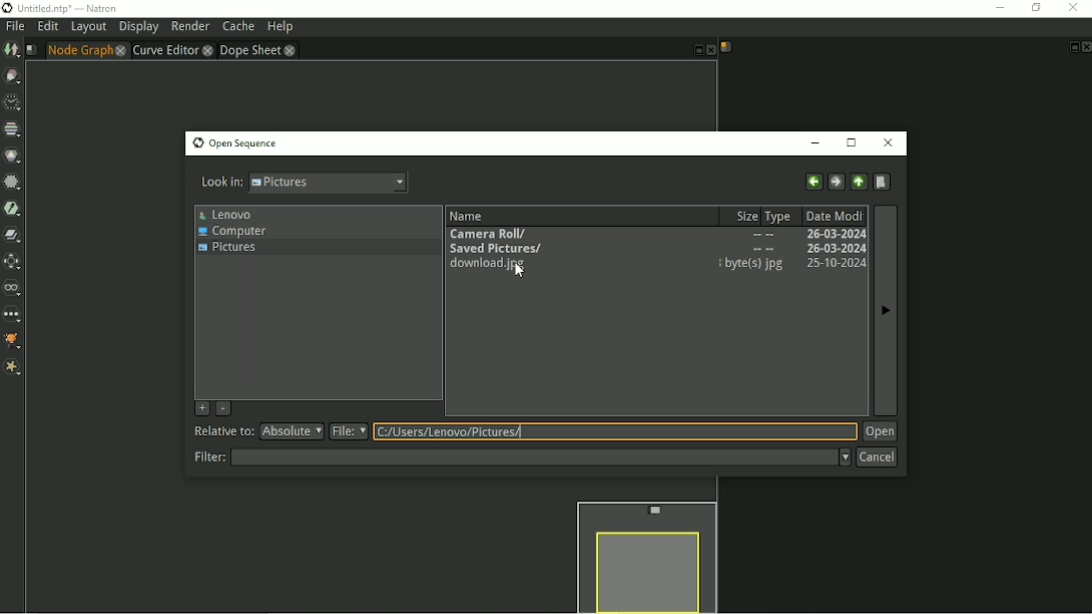  Describe the element at coordinates (525, 271) in the screenshot. I see `Cursor` at that location.